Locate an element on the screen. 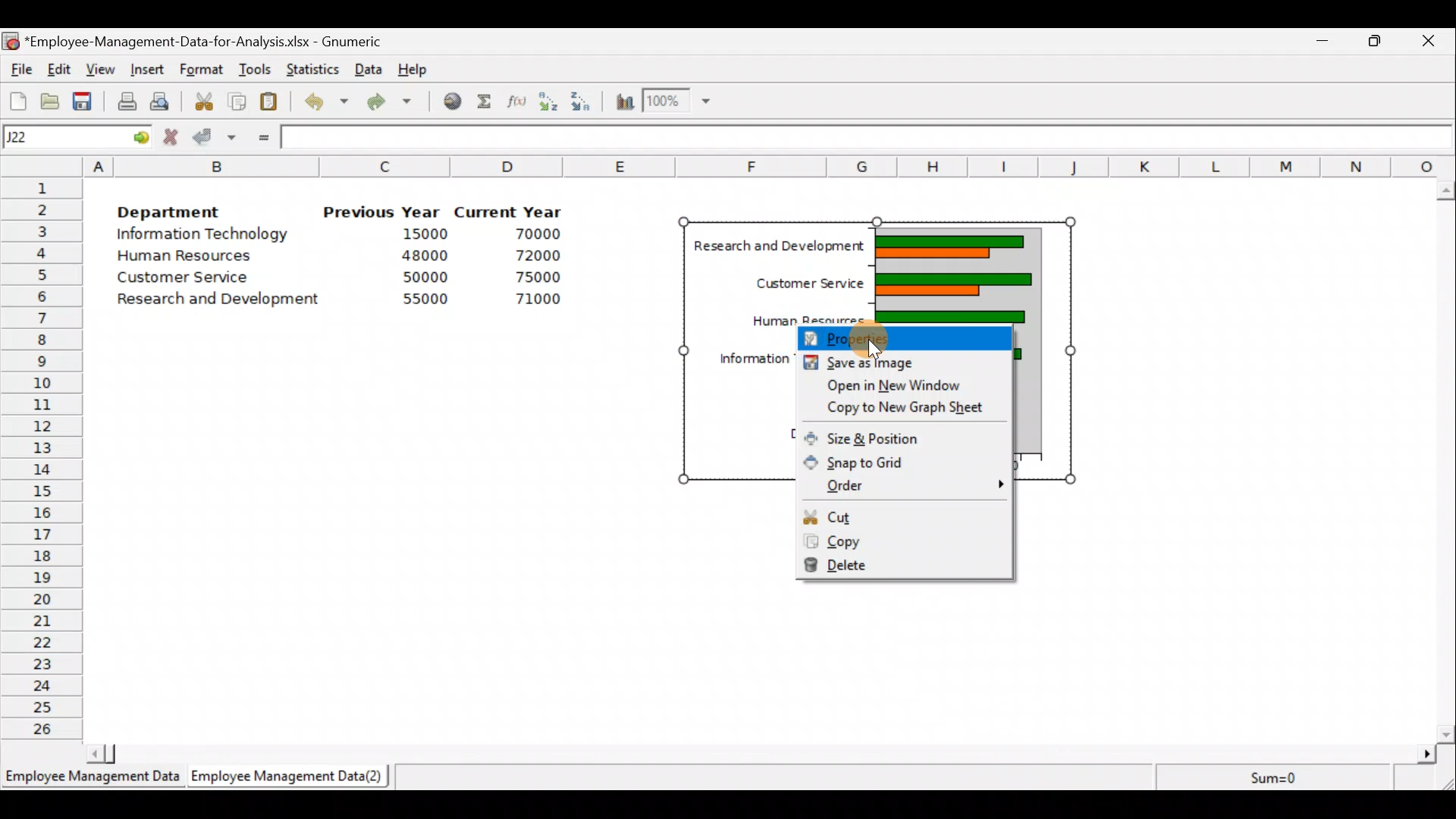  Data is located at coordinates (369, 67).